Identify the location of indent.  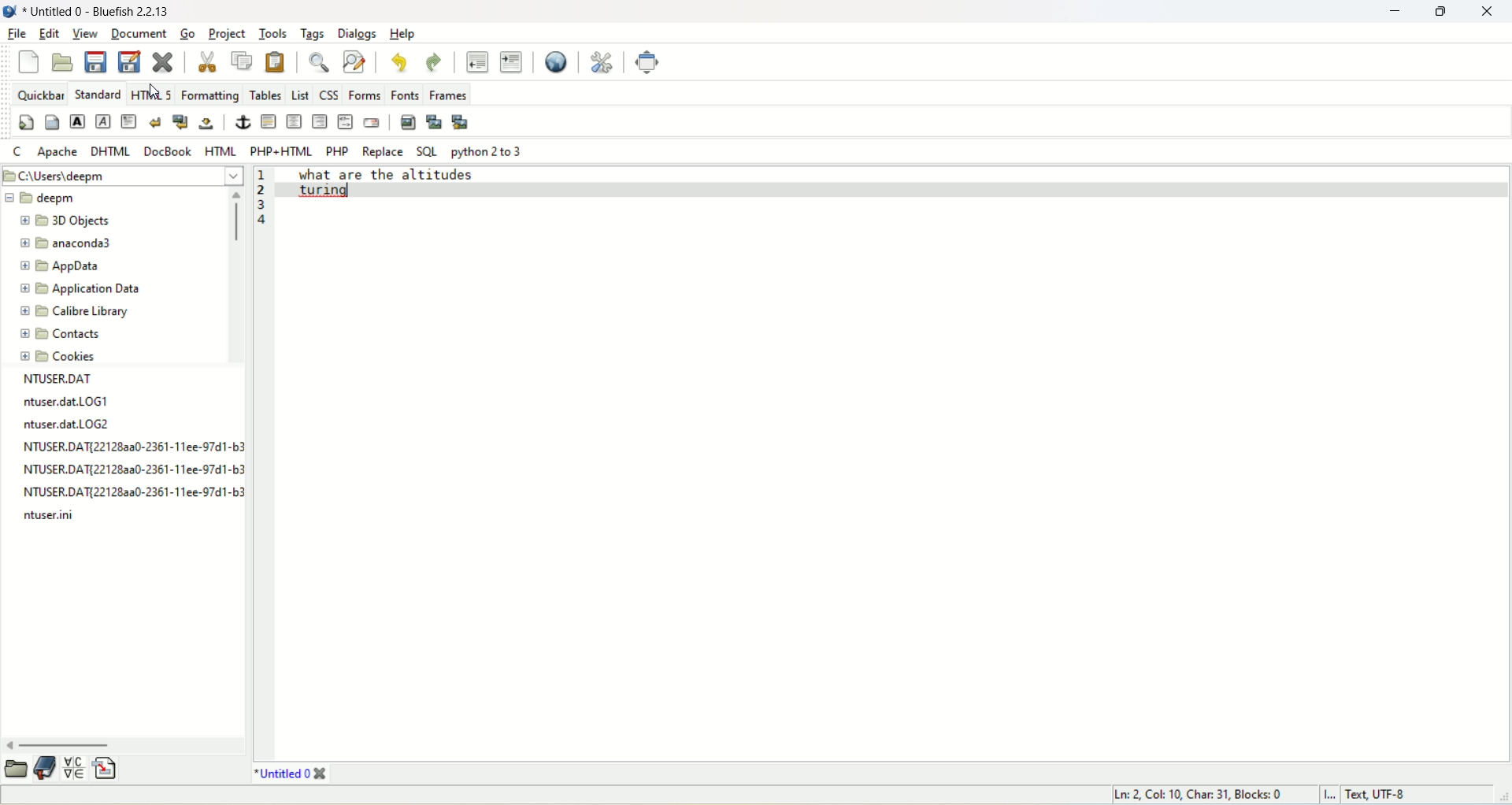
(510, 62).